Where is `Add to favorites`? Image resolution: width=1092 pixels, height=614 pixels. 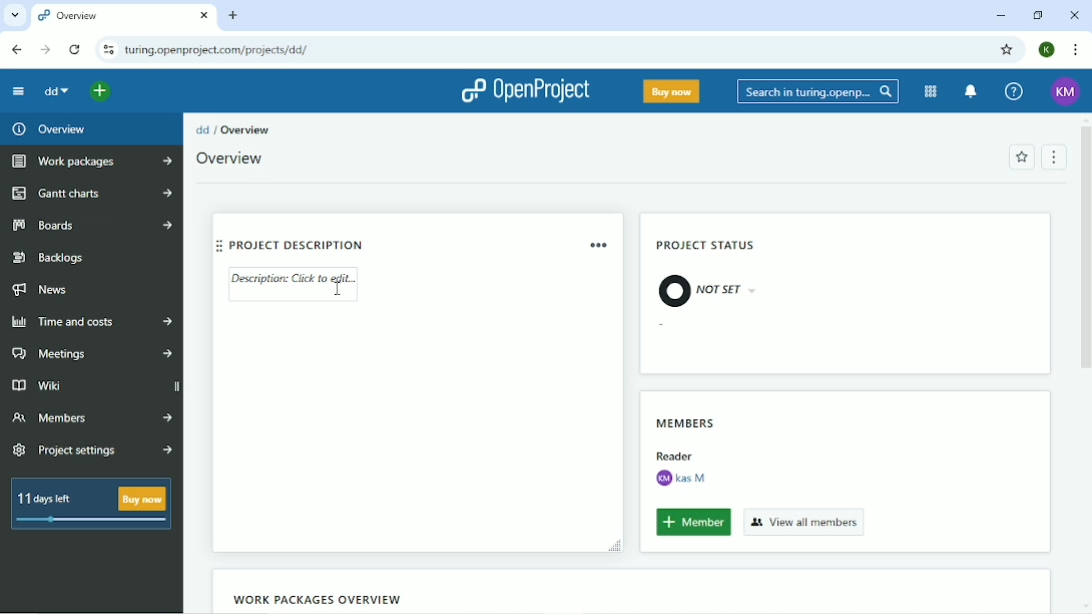 Add to favorites is located at coordinates (1021, 157).